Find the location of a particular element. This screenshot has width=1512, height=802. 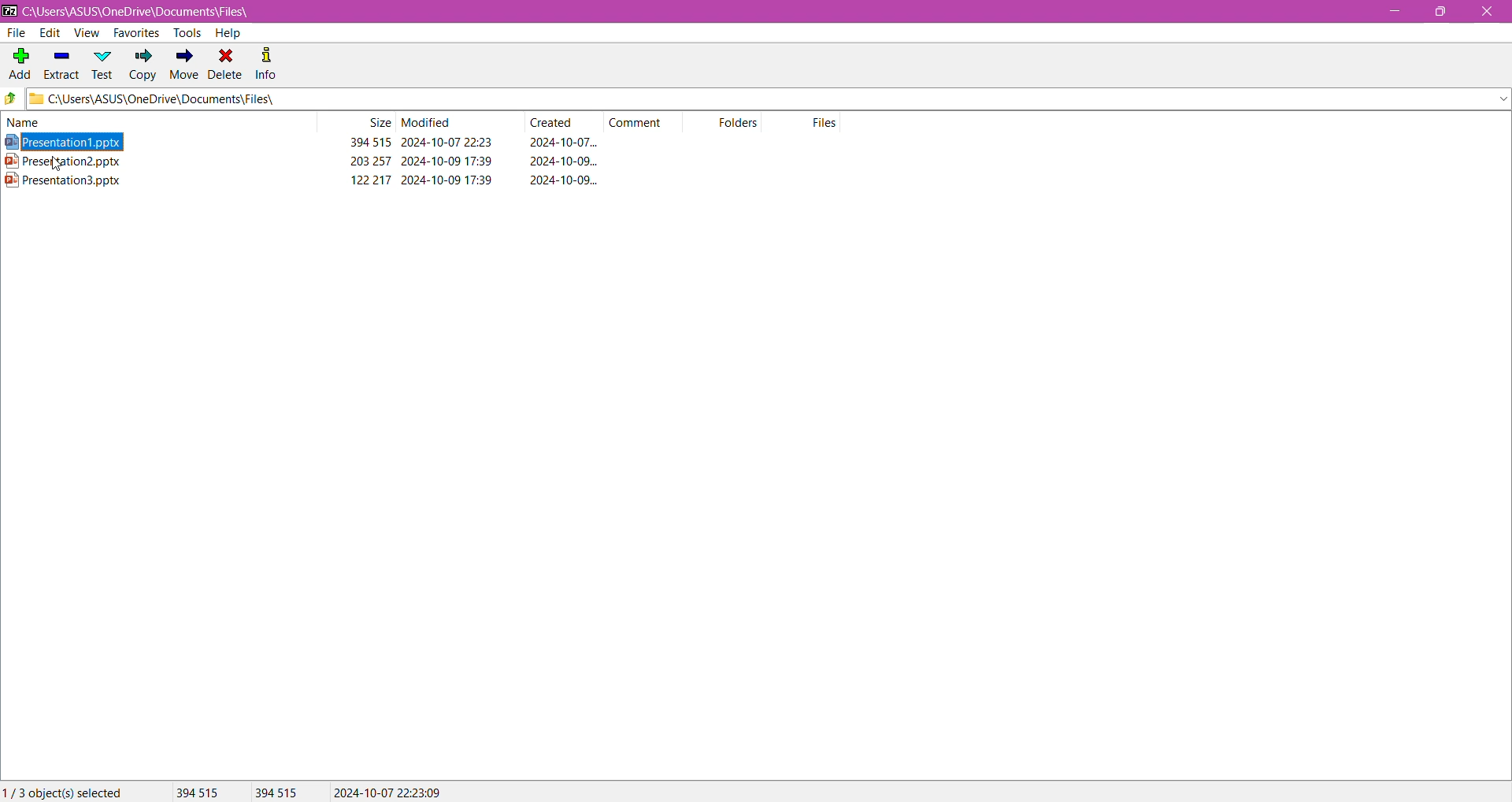

394515 is located at coordinates (276, 793).